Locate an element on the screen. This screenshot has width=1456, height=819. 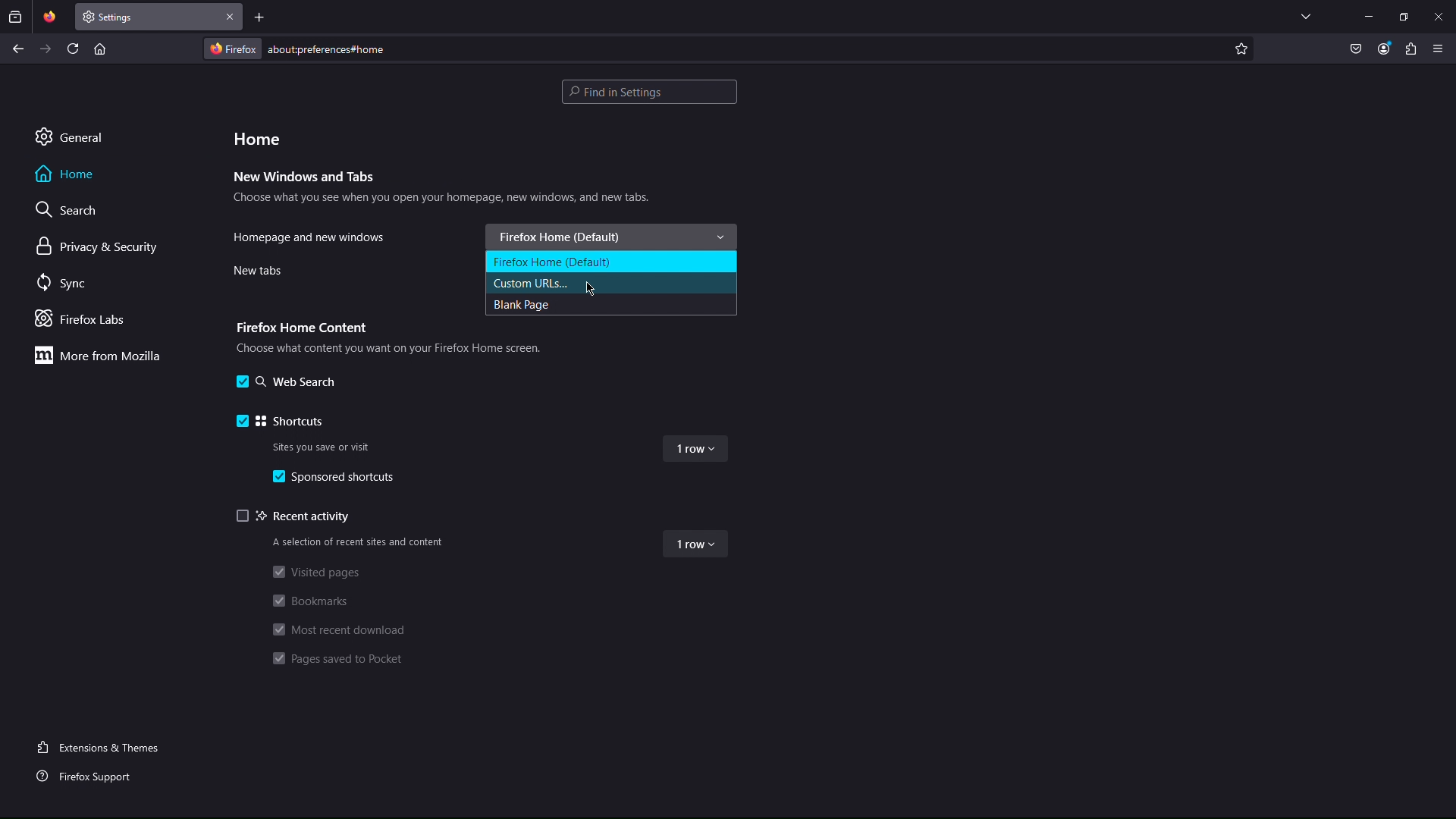
Next is located at coordinates (46, 49).